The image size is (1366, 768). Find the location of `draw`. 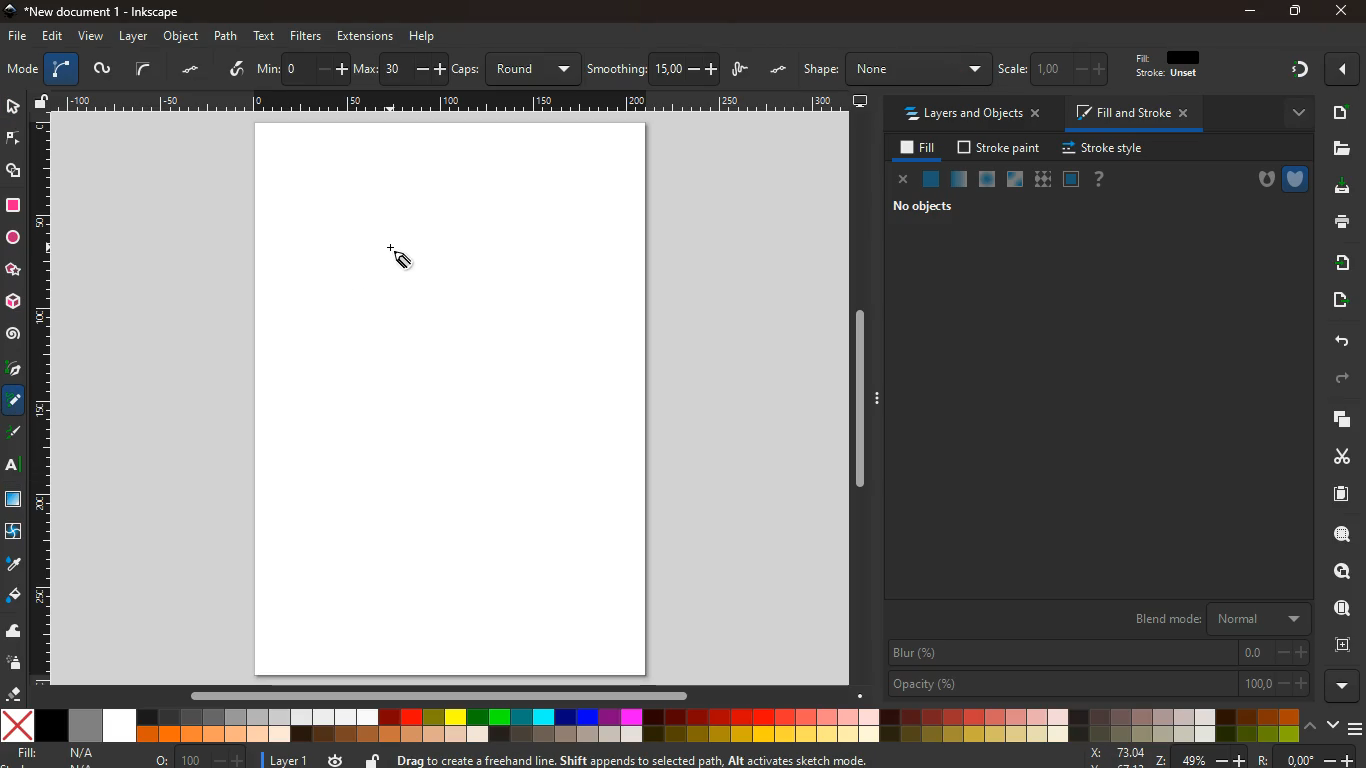

draw is located at coordinates (15, 436).